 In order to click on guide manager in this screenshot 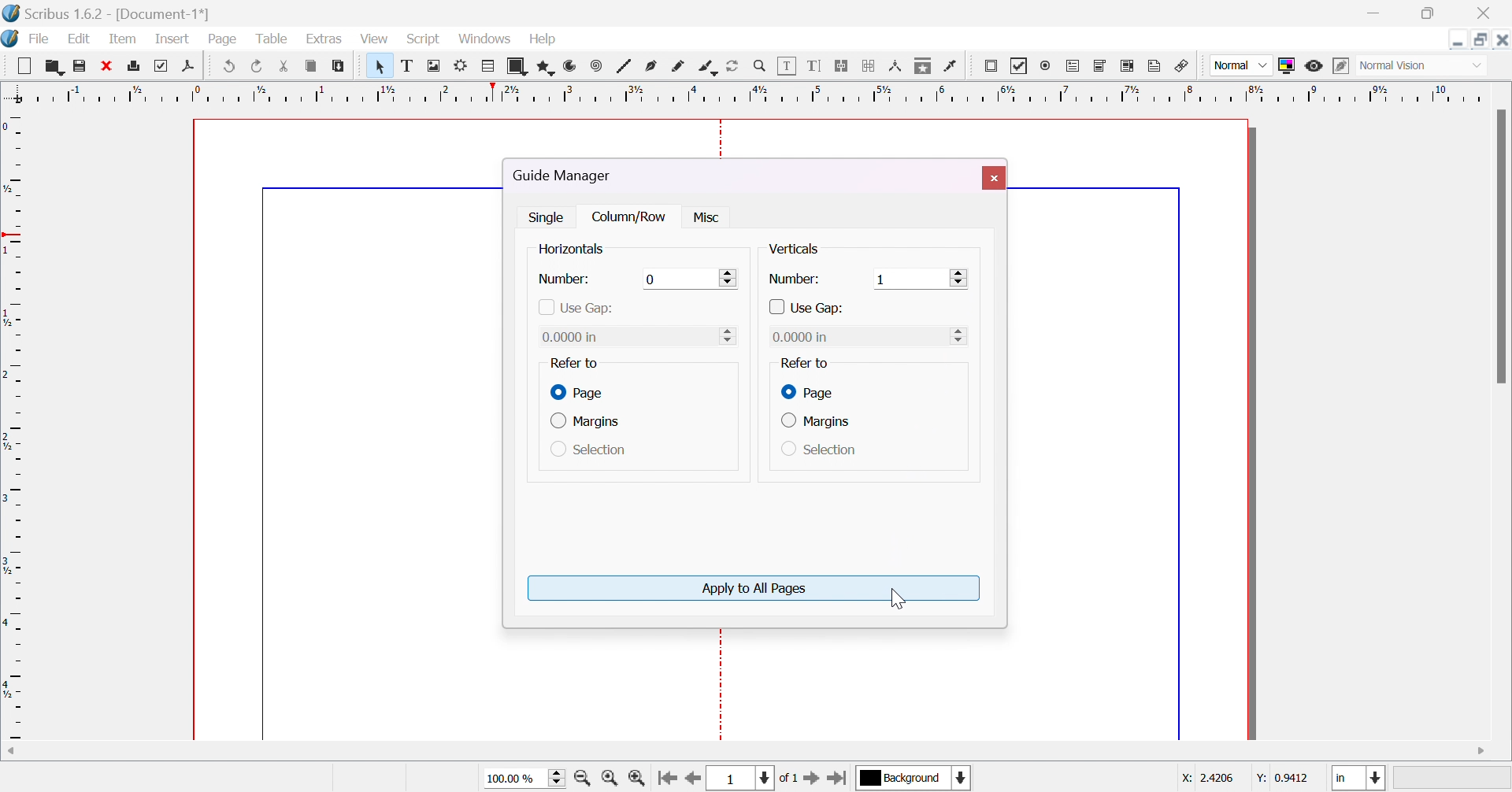, I will do `click(568, 176)`.